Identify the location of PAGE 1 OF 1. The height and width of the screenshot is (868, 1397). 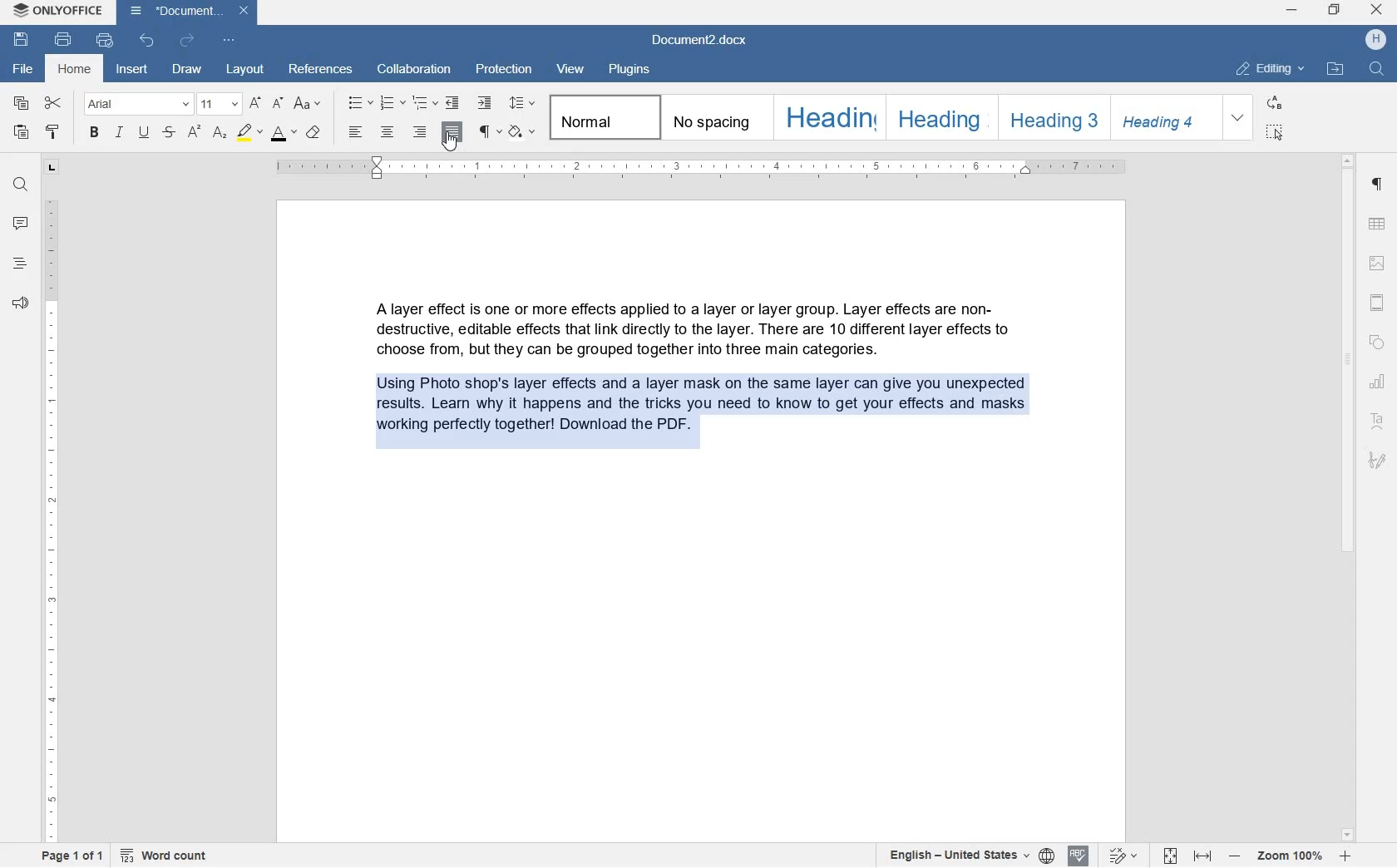
(72, 856).